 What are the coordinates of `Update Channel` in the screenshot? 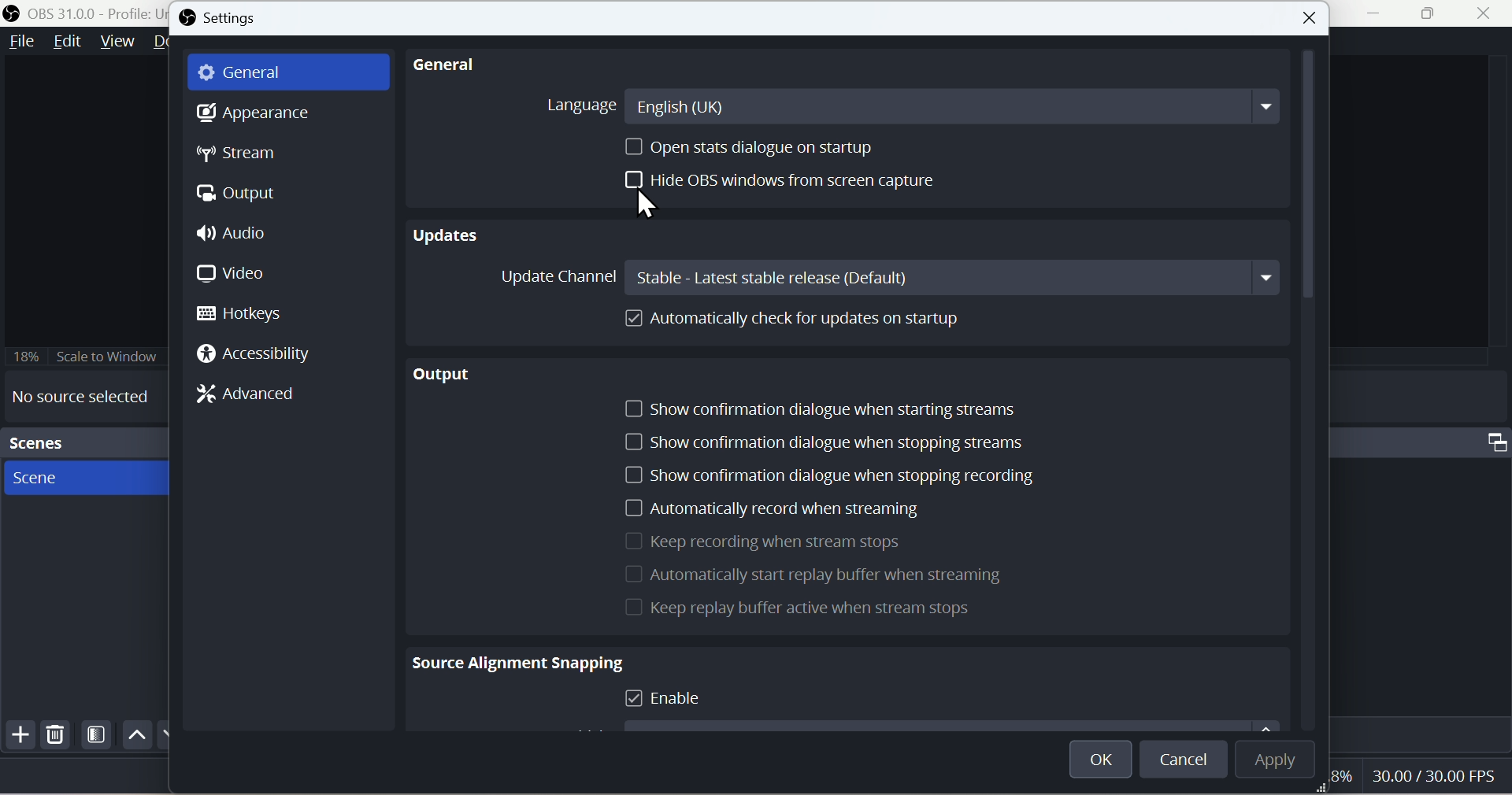 It's located at (556, 275).